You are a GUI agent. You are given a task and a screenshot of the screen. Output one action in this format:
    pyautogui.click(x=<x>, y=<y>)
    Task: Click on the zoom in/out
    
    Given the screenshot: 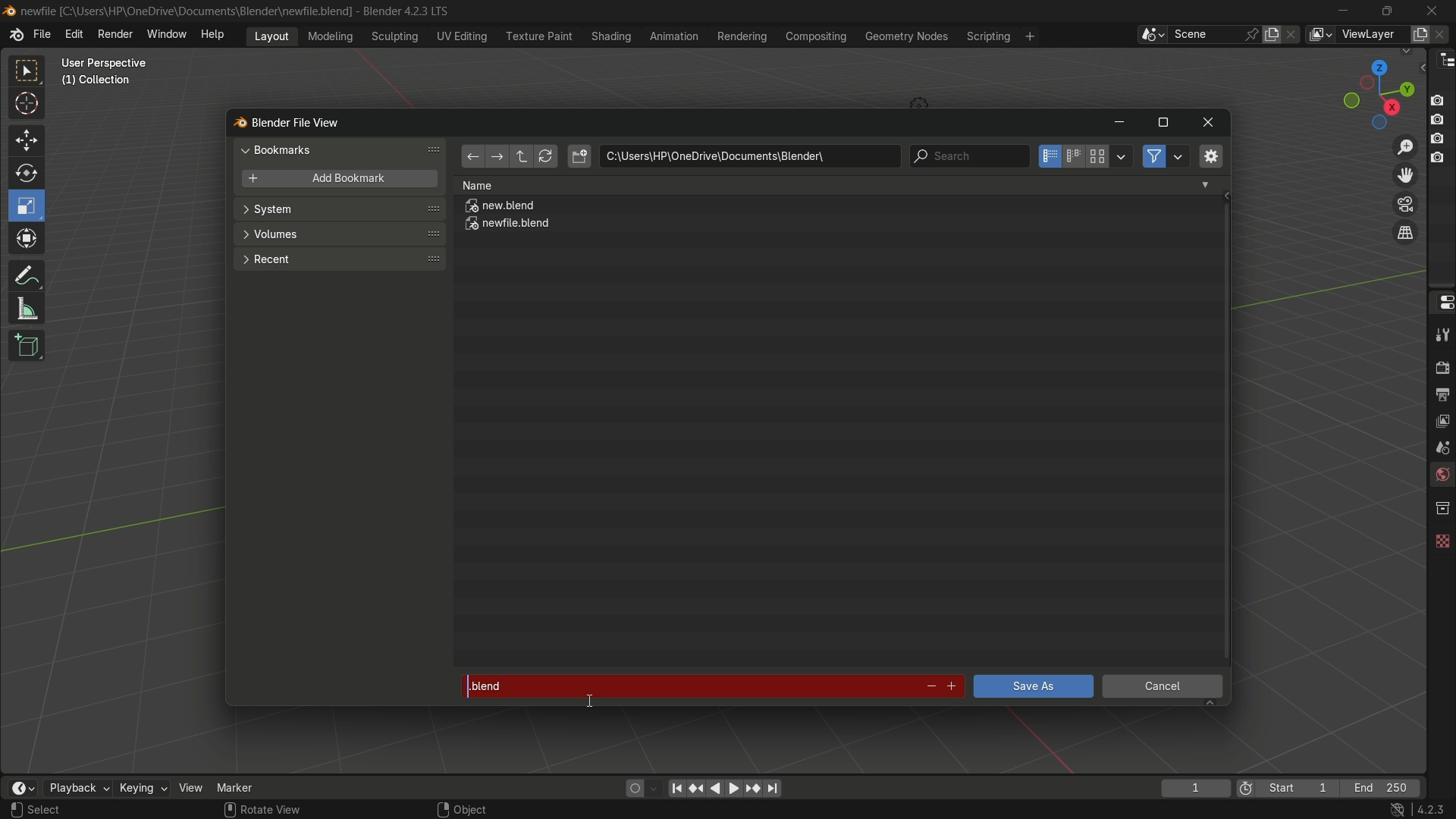 What is the action you would take?
    pyautogui.click(x=1406, y=145)
    